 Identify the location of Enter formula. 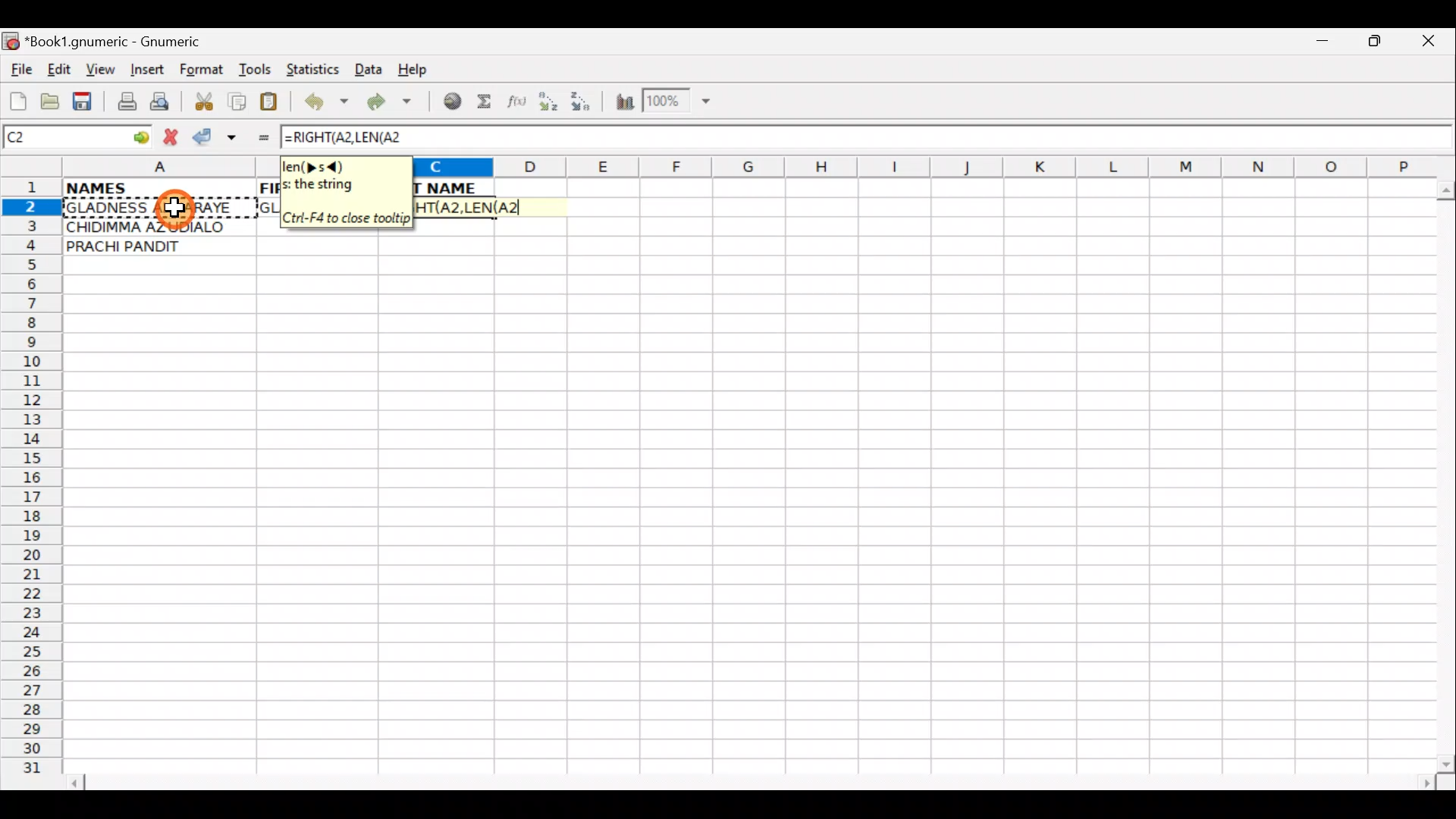
(256, 137).